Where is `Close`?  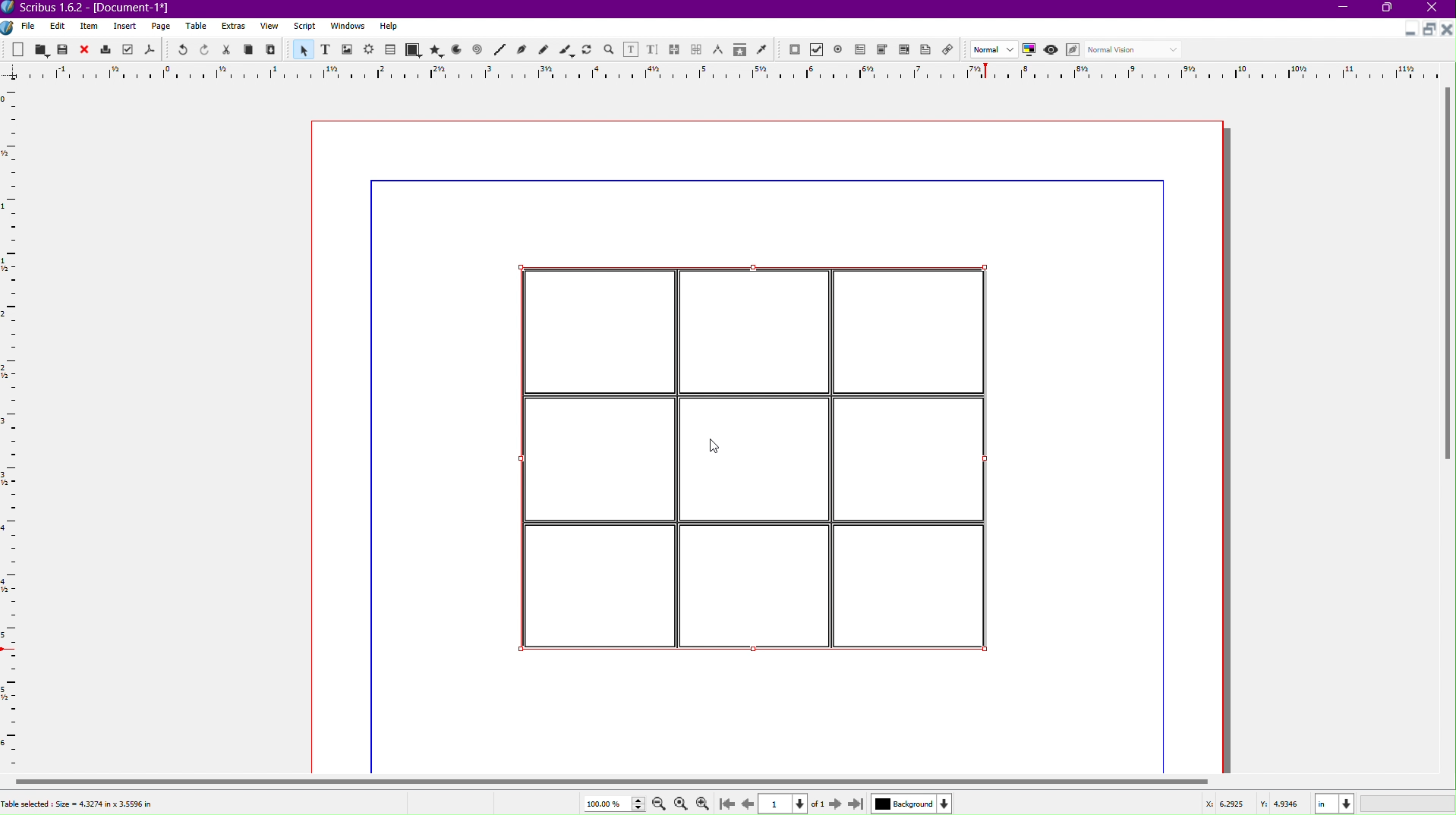
Close is located at coordinates (1447, 30).